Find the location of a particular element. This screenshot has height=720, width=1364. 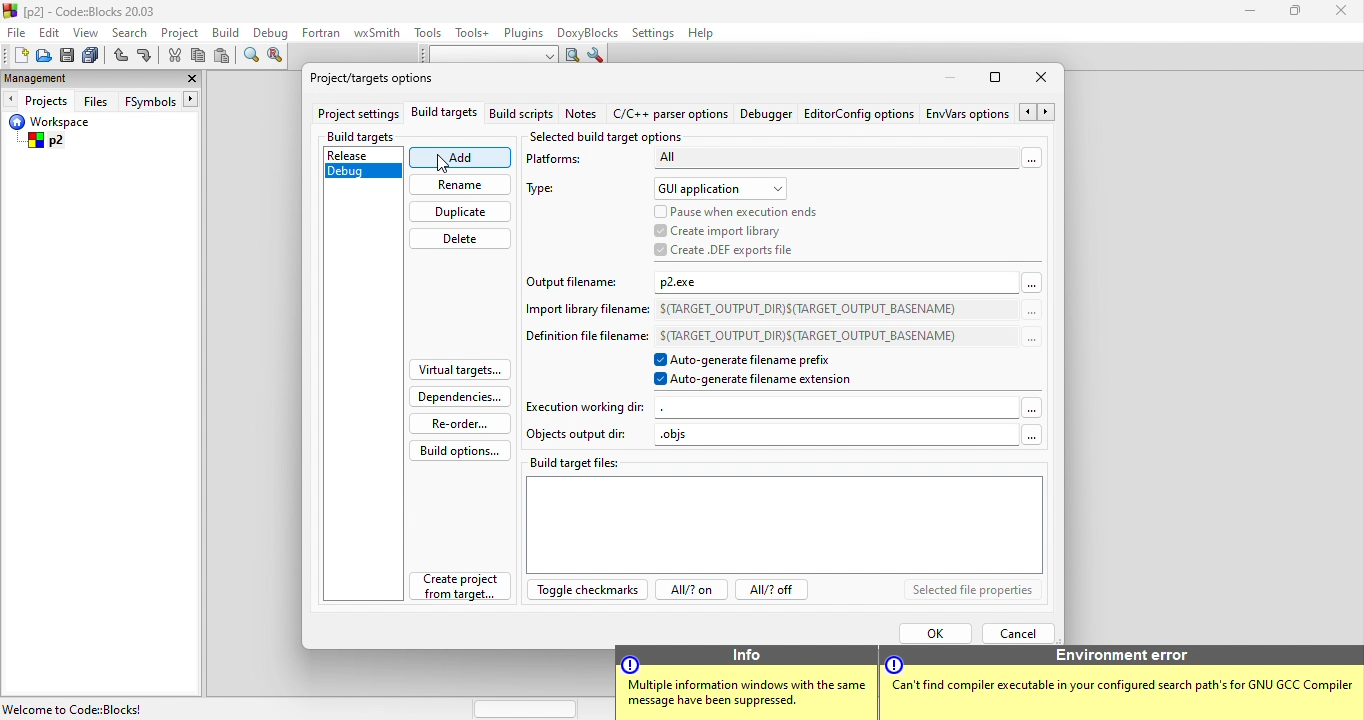

platforms-all is located at coordinates (788, 163).